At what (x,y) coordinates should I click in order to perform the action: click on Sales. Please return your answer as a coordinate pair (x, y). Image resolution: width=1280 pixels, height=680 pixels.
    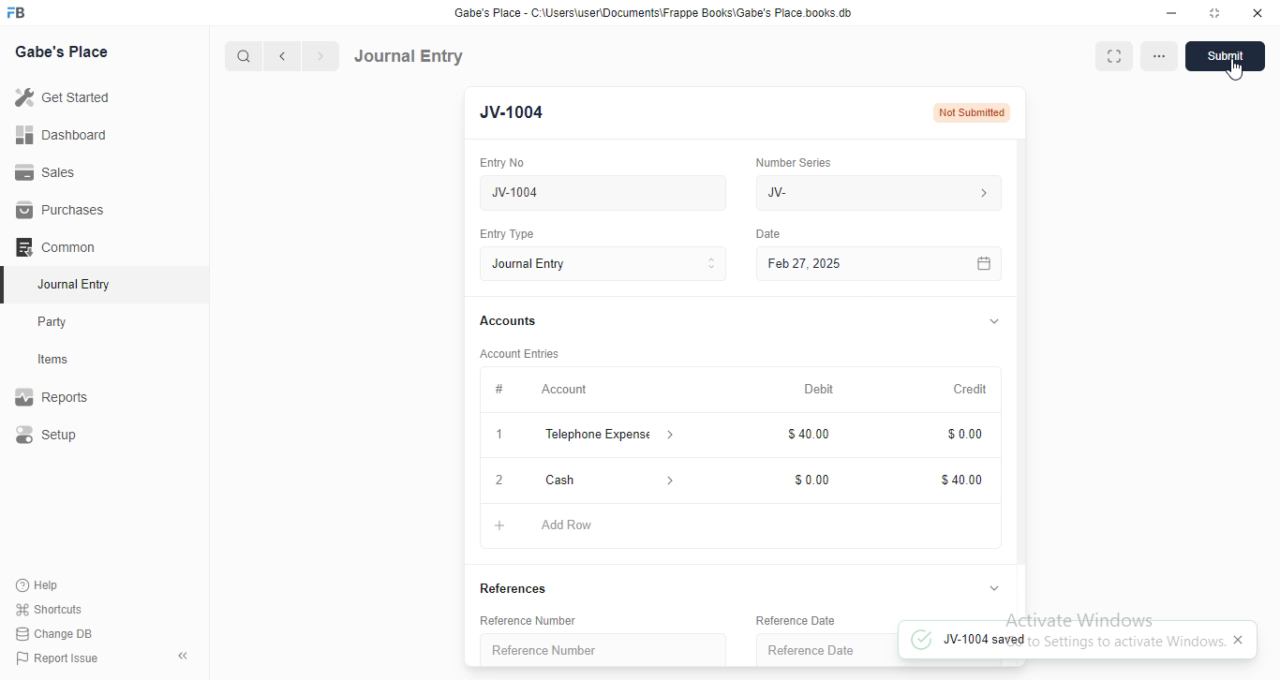
    Looking at the image, I should click on (49, 174).